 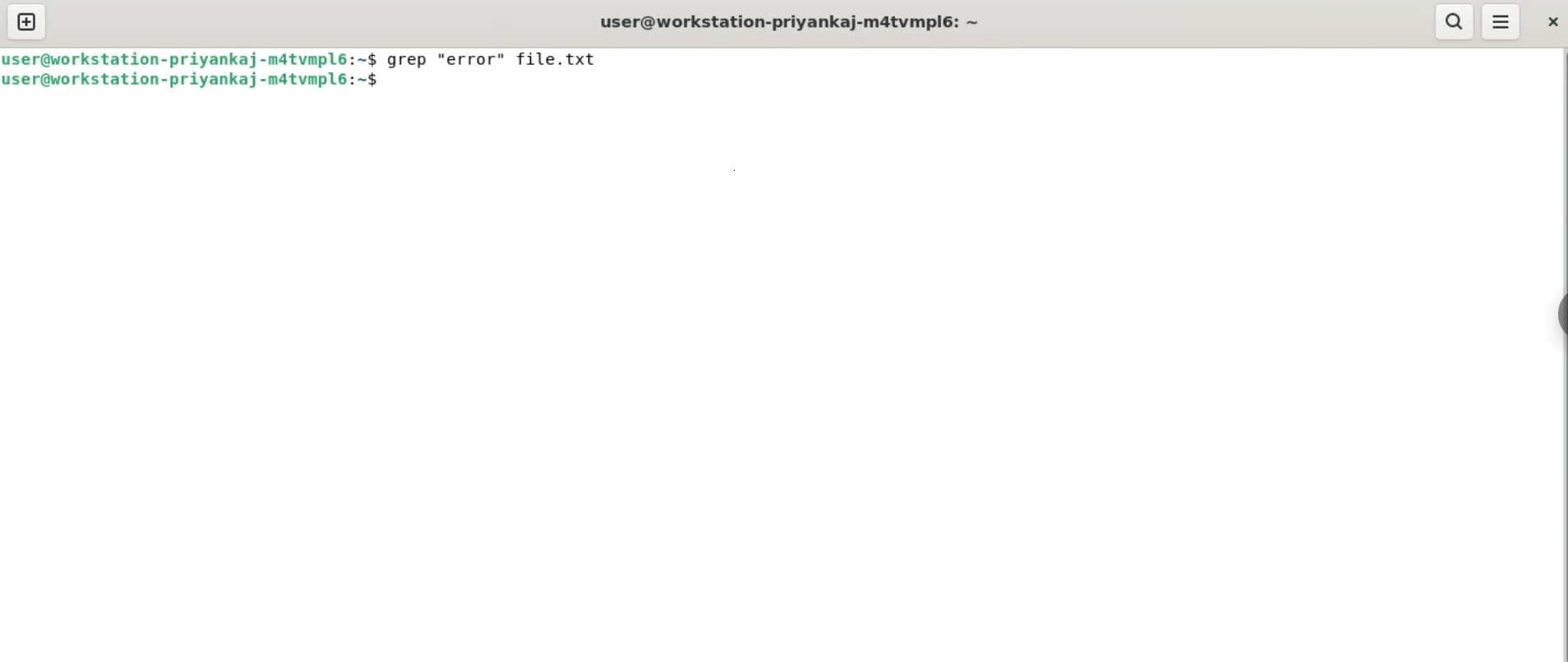 What do you see at coordinates (194, 58) in the screenshot?
I see `user@workstation-priyankaj-m4tvmpl6: ~$` at bounding box center [194, 58].